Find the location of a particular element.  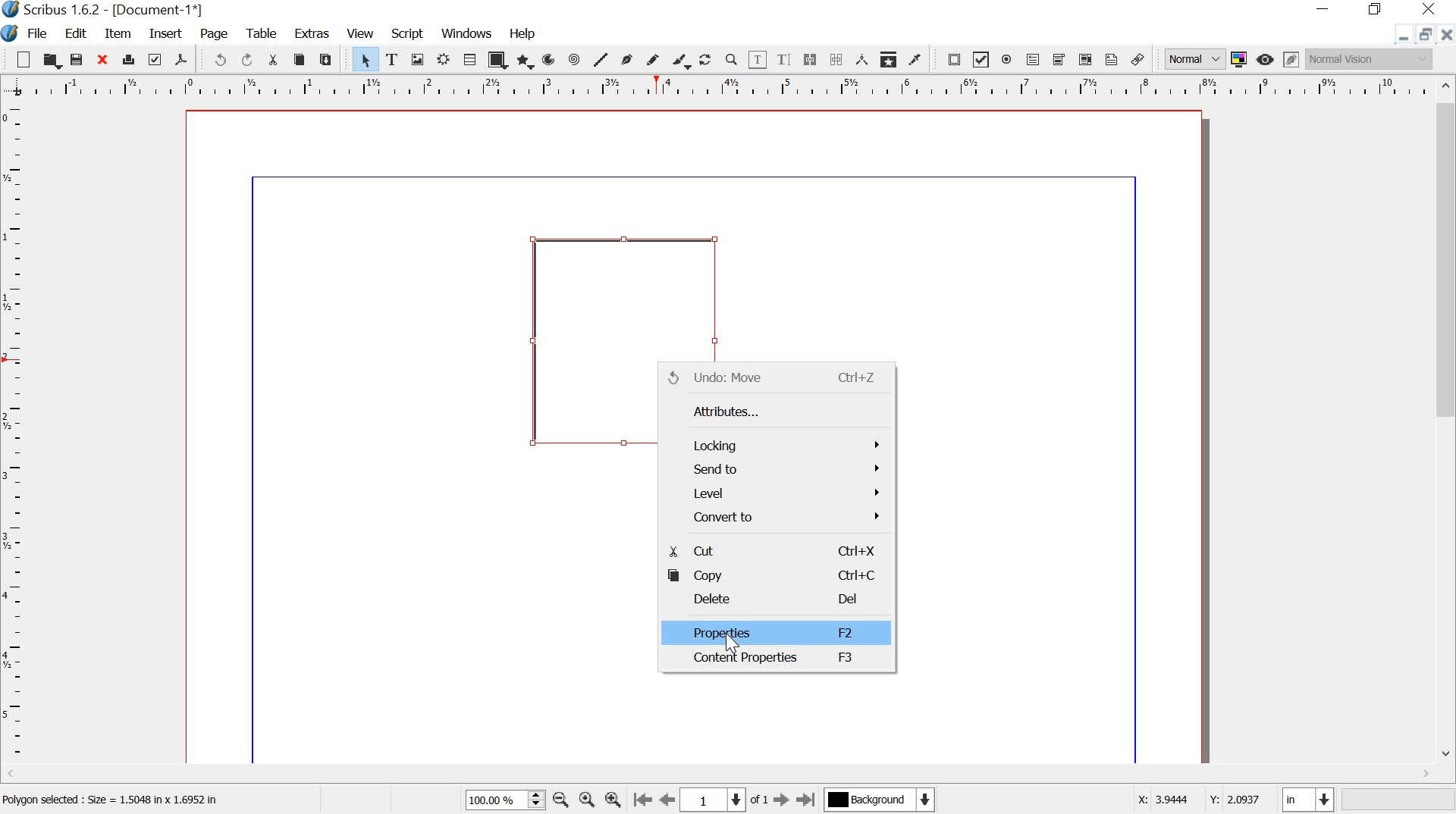

Undo: Move ctrl+Z is located at coordinates (781, 371).